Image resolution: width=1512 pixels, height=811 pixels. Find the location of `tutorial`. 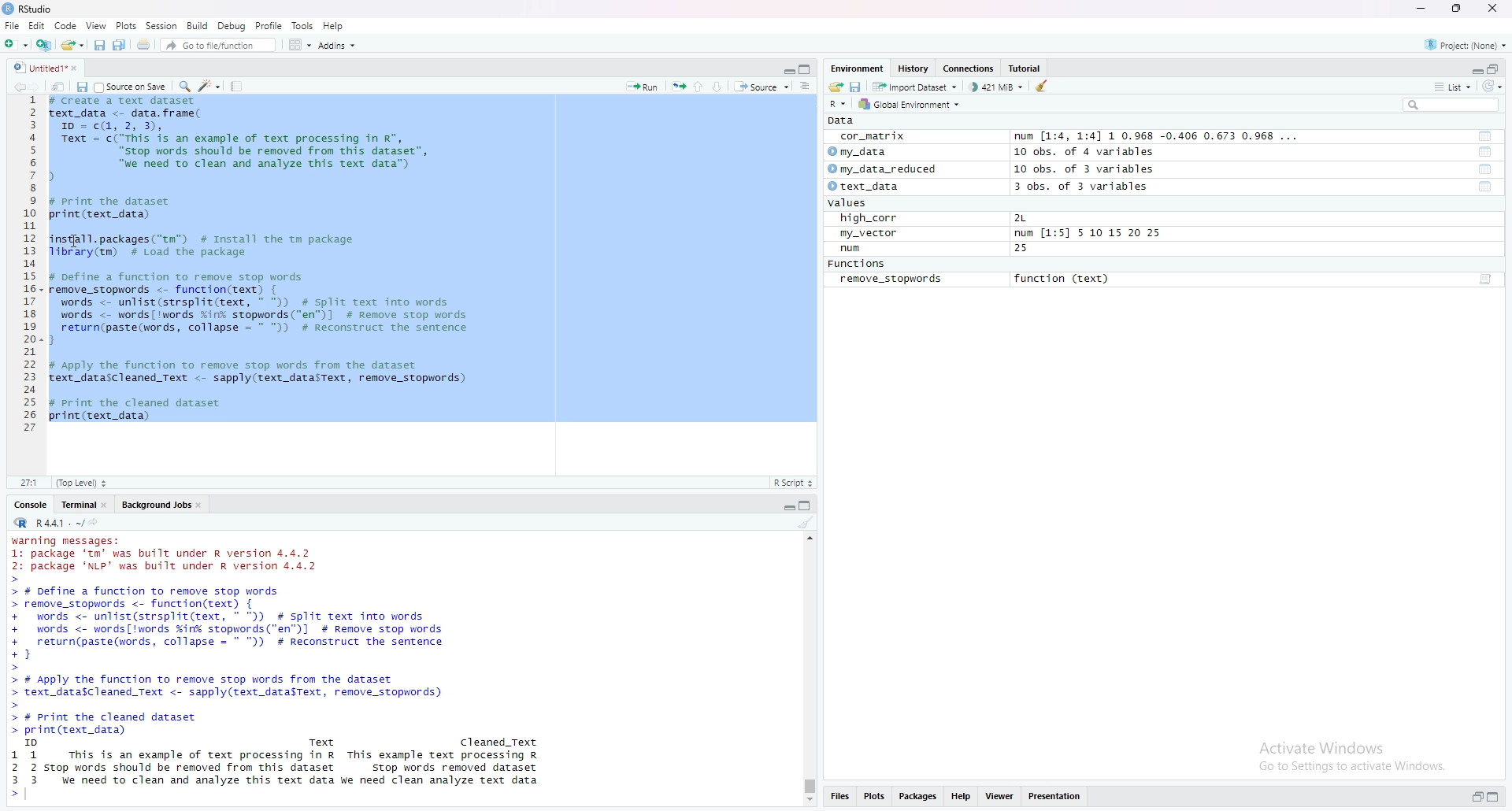

tutorial is located at coordinates (1025, 69).